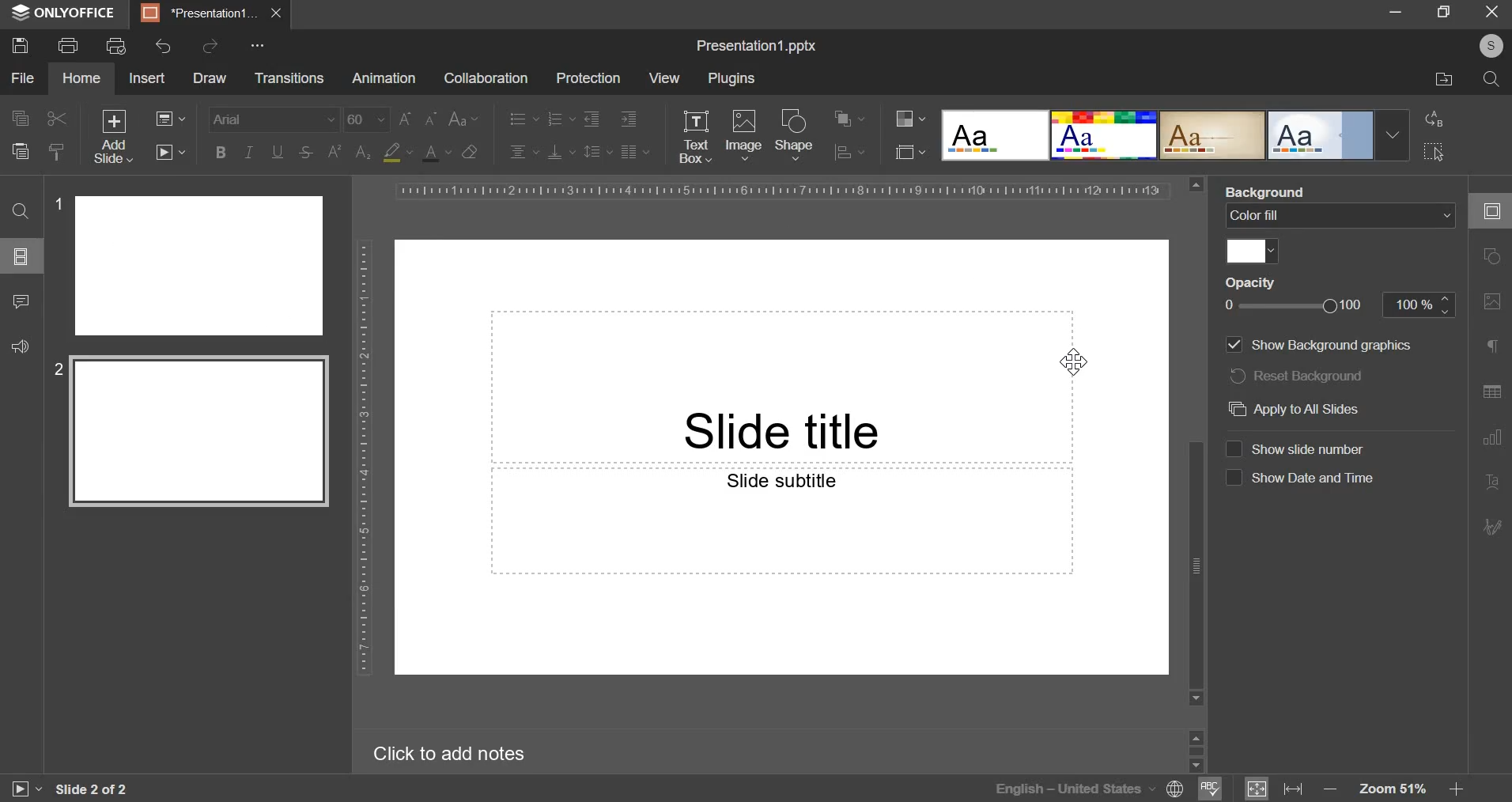 Image resolution: width=1512 pixels, height=802 pixels. Describe the element at coordinates (81, 78) in the screenshot. I see `home` at that location.